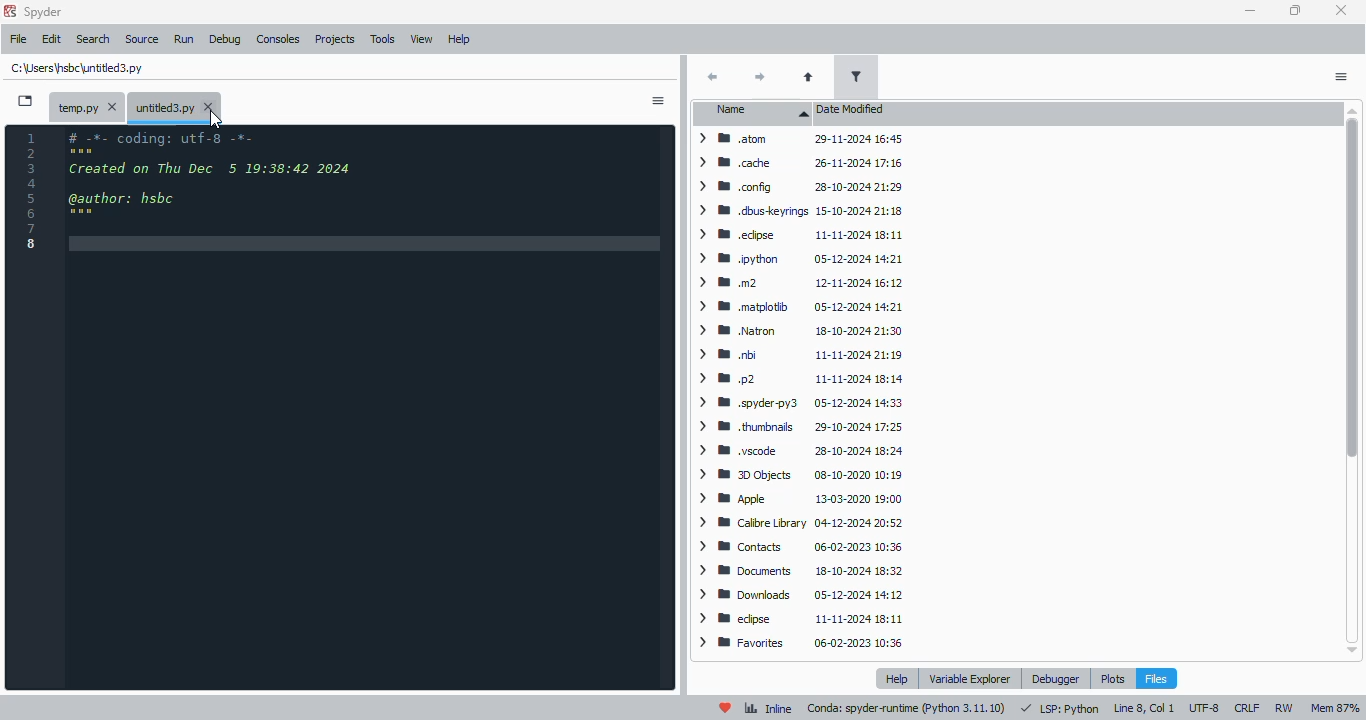 This screenshot has height=720, width=1366. I want to click on debugger, so click(1058, 679).